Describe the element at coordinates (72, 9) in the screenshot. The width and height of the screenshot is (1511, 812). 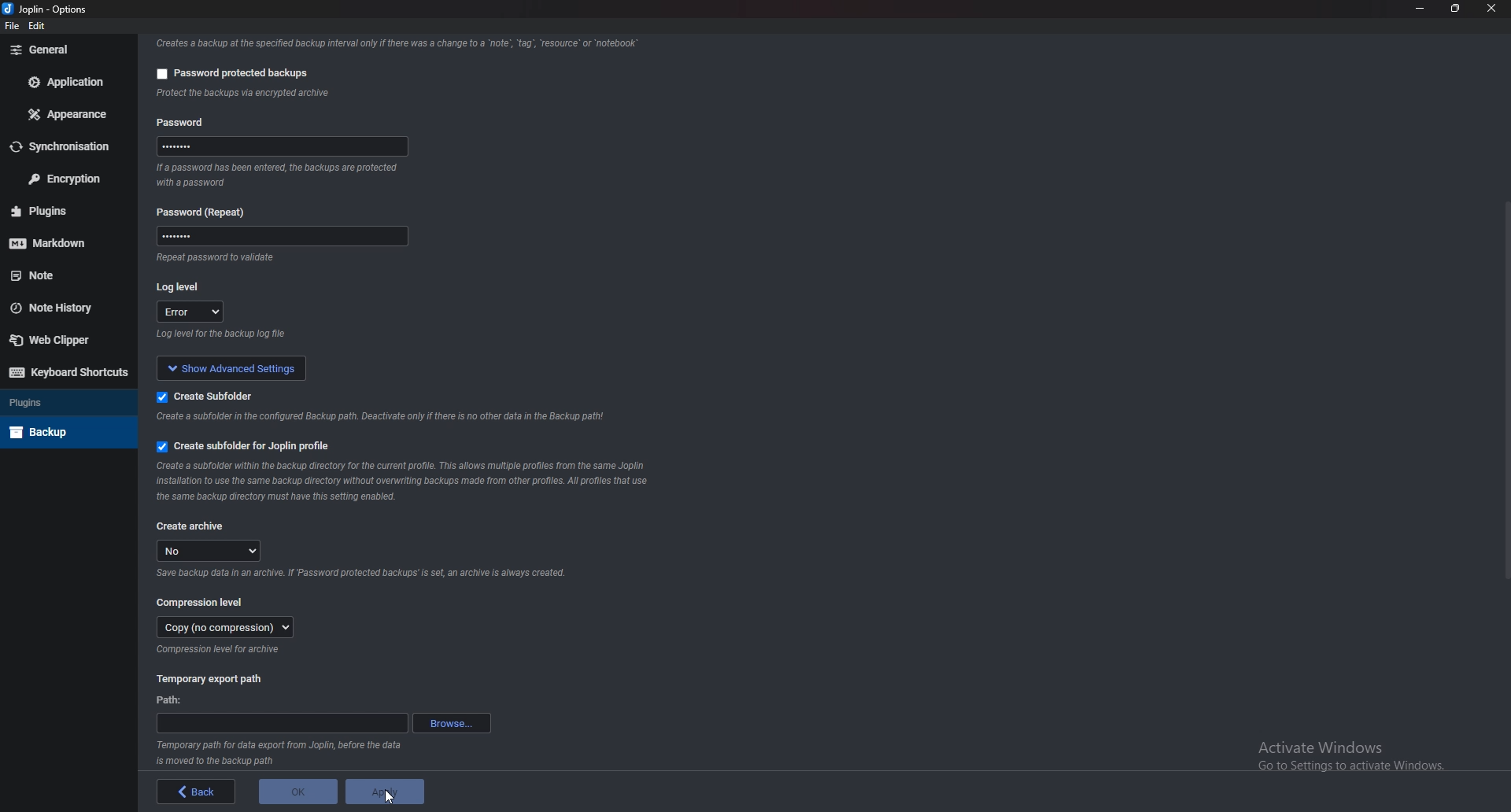
I see `options` at that location.